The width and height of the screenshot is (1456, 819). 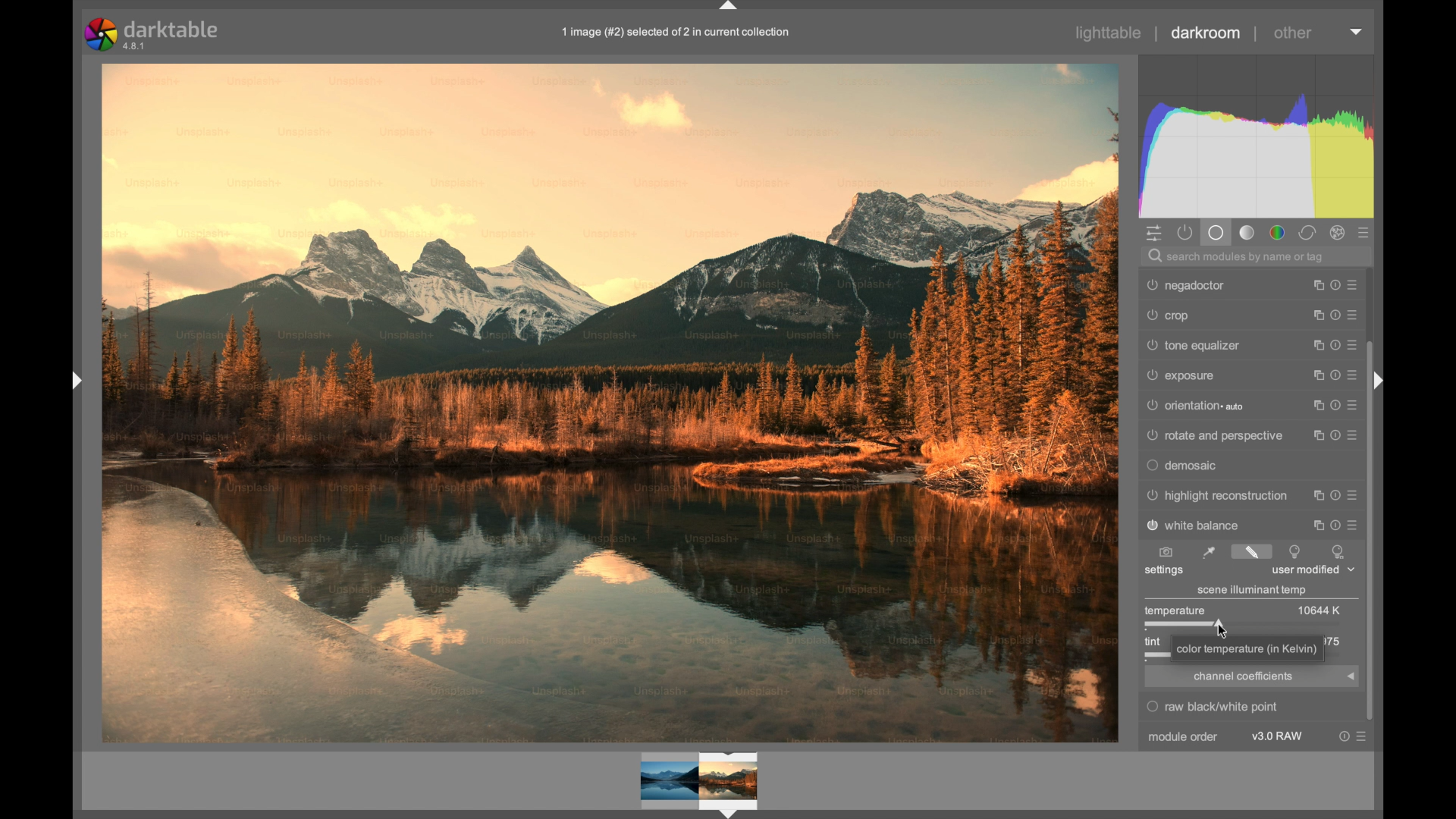 What do you see at coordinates (1236, 257) in the screenshot?
I see `search modules by name or tag` at bounding box center [1236, 257].